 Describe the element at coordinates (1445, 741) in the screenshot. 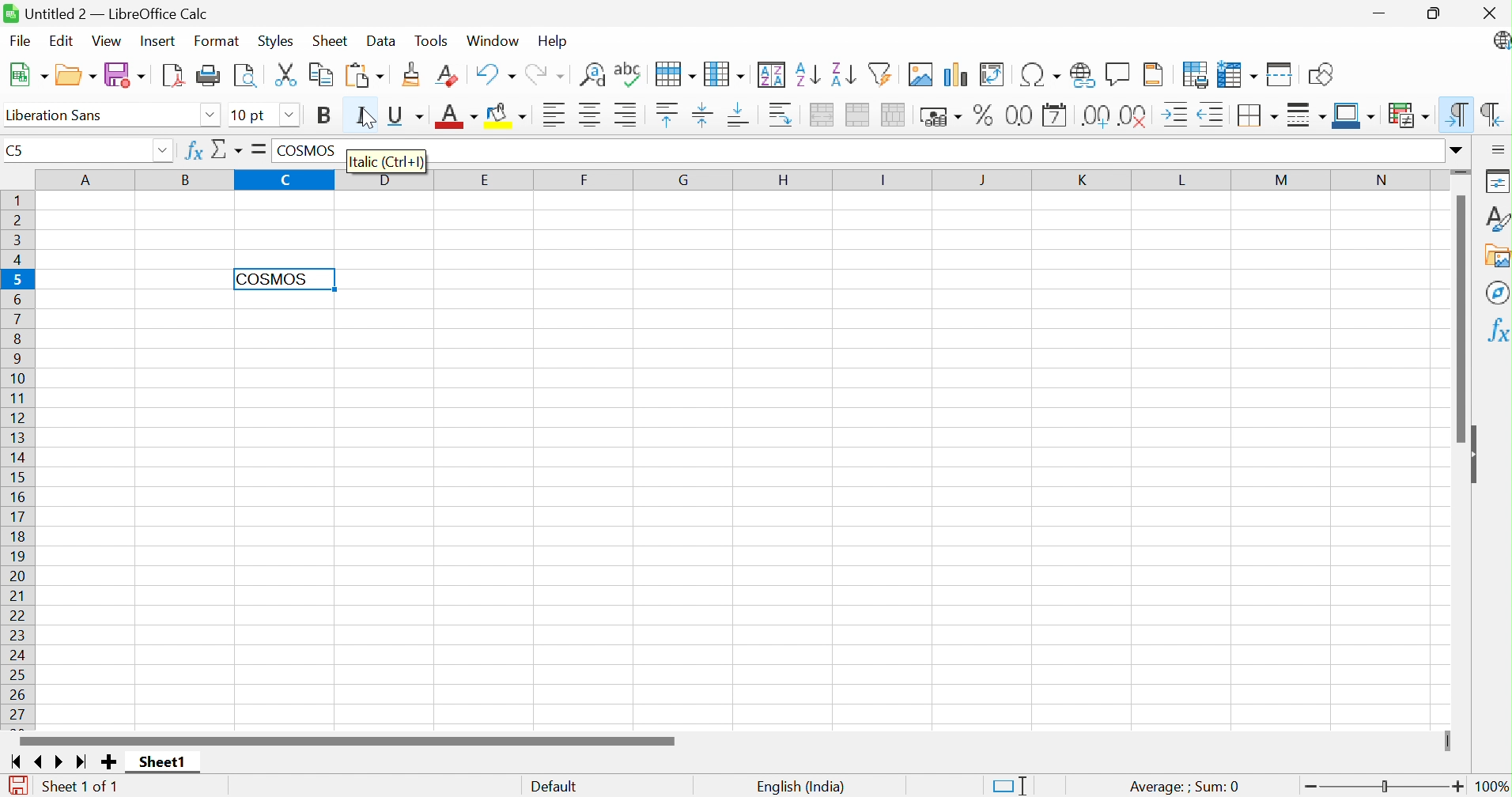

I see `Slider` at that location.